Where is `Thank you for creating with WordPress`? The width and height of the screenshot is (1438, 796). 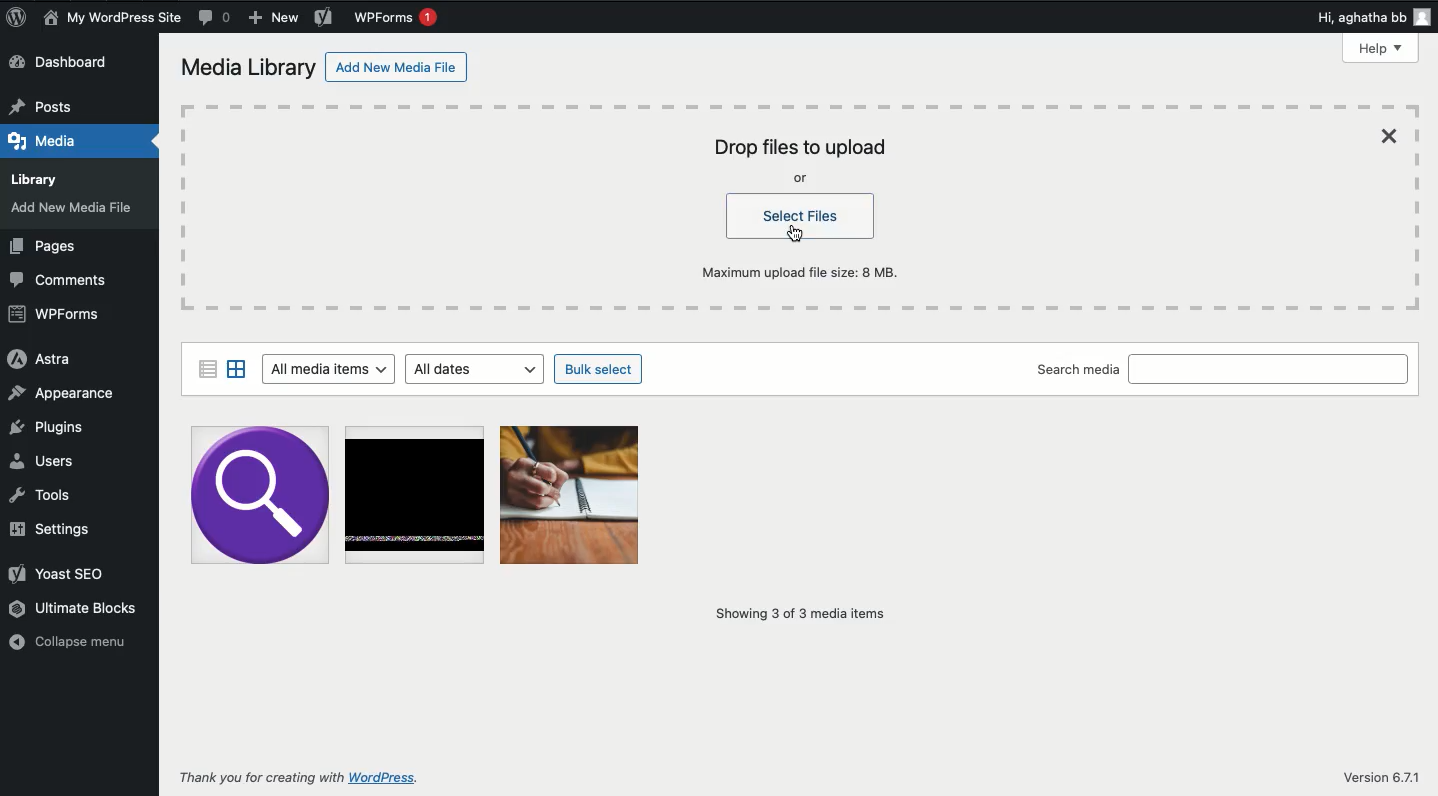
Thank you for creating with WordPress is located at coordinates (300, 779).